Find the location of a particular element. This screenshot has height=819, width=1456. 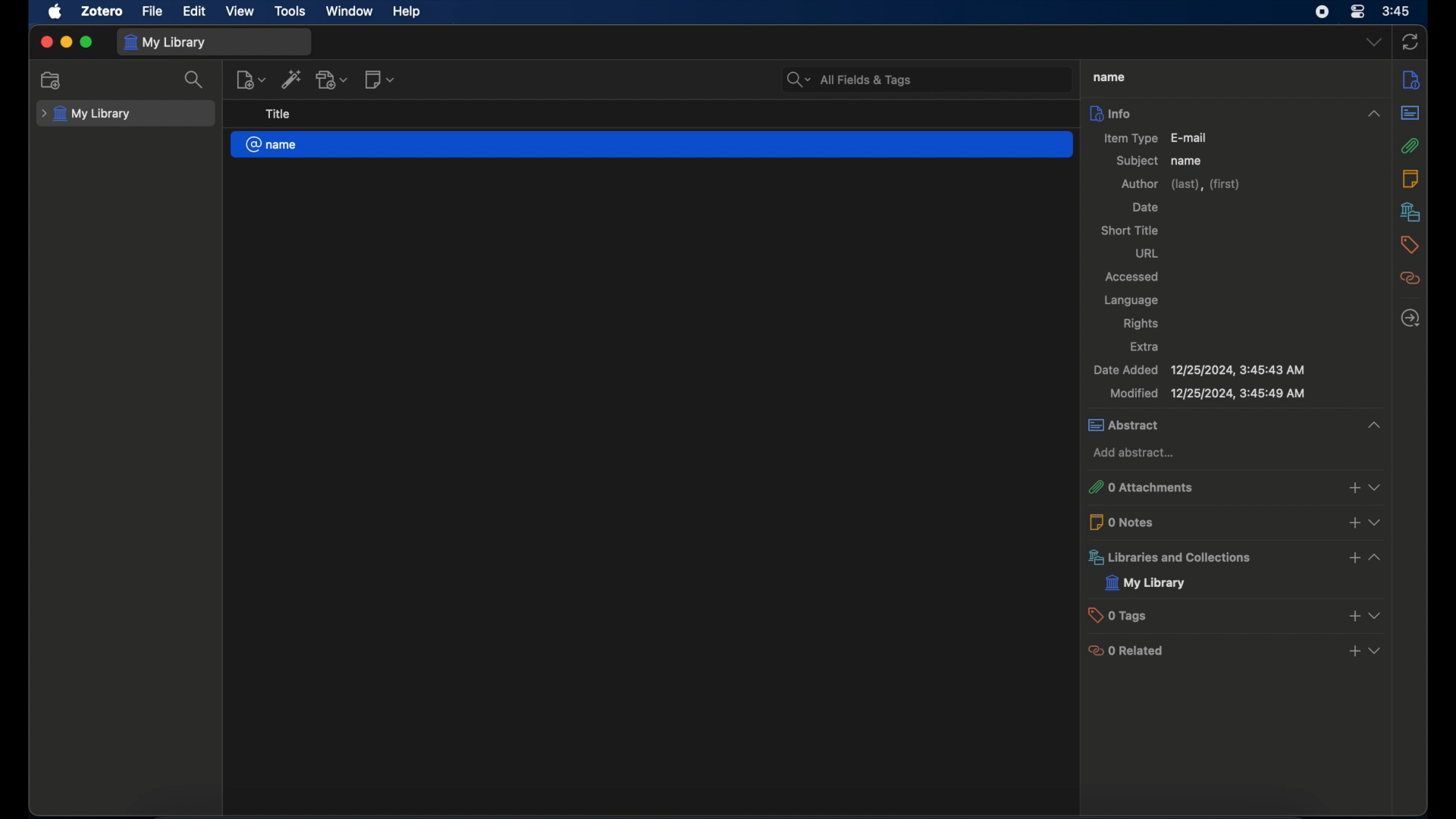

my library is located at coordinates (168, 42).